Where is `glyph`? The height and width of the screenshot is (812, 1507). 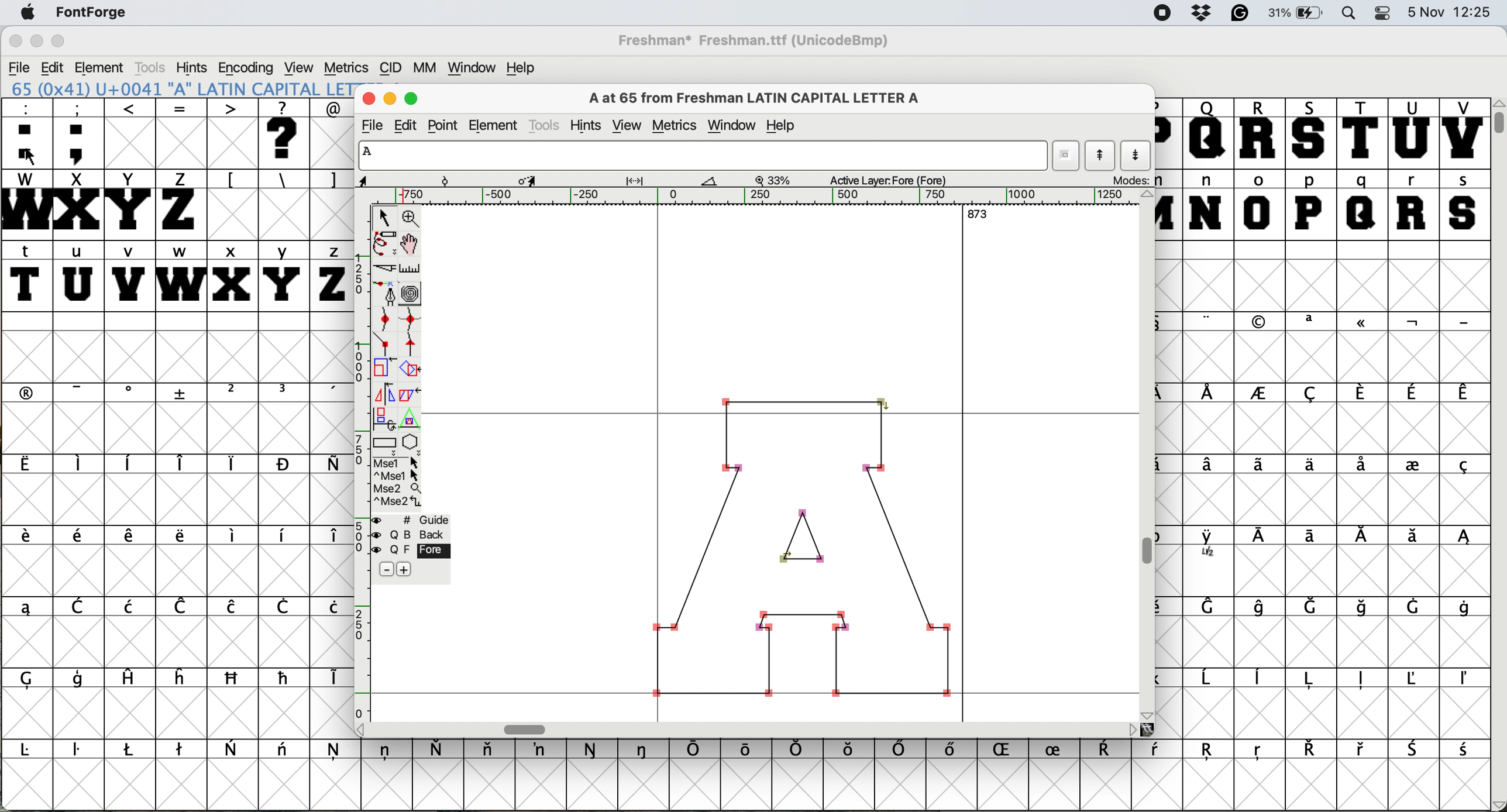
glyph is located at coordinates (797, 544).